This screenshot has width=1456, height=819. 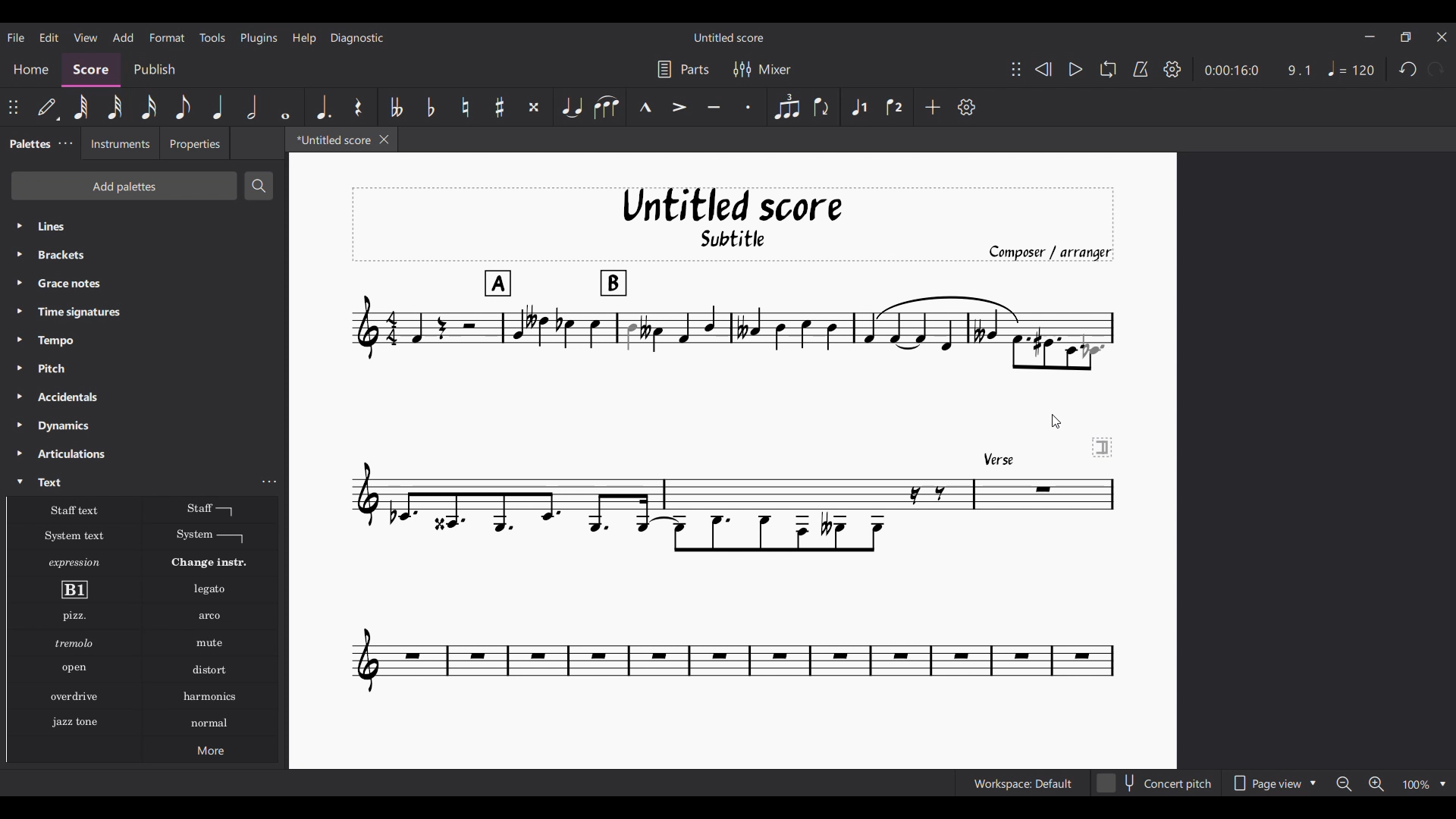 What do you see at coordinates (16, 37) in the screenshot?
I see `File menu` at bounding box center [16, 37].